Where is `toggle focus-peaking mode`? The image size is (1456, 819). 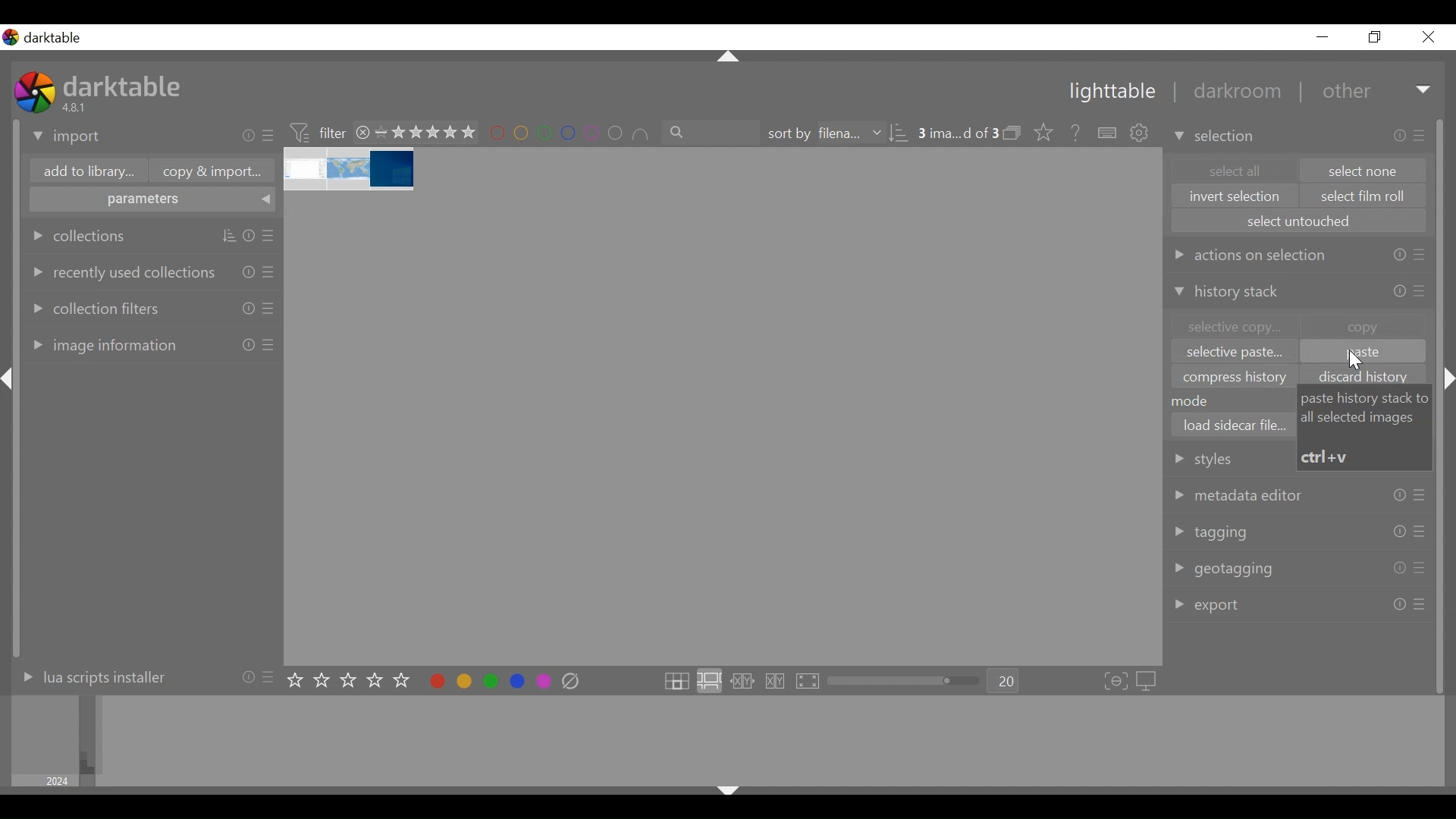
toggle focus-peaking mode is located at coordinates (1116, 682).